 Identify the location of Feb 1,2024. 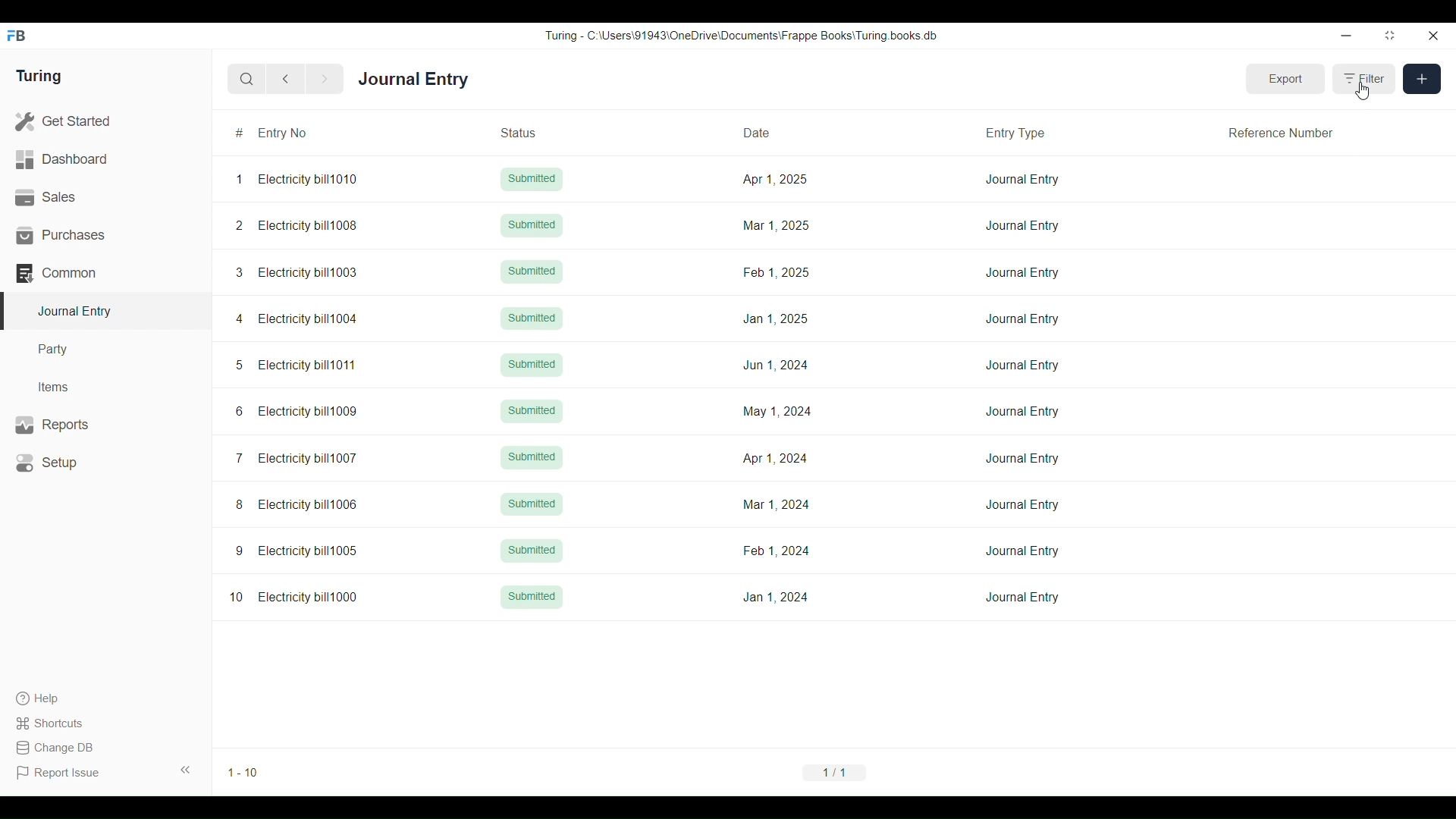
(776, 551).